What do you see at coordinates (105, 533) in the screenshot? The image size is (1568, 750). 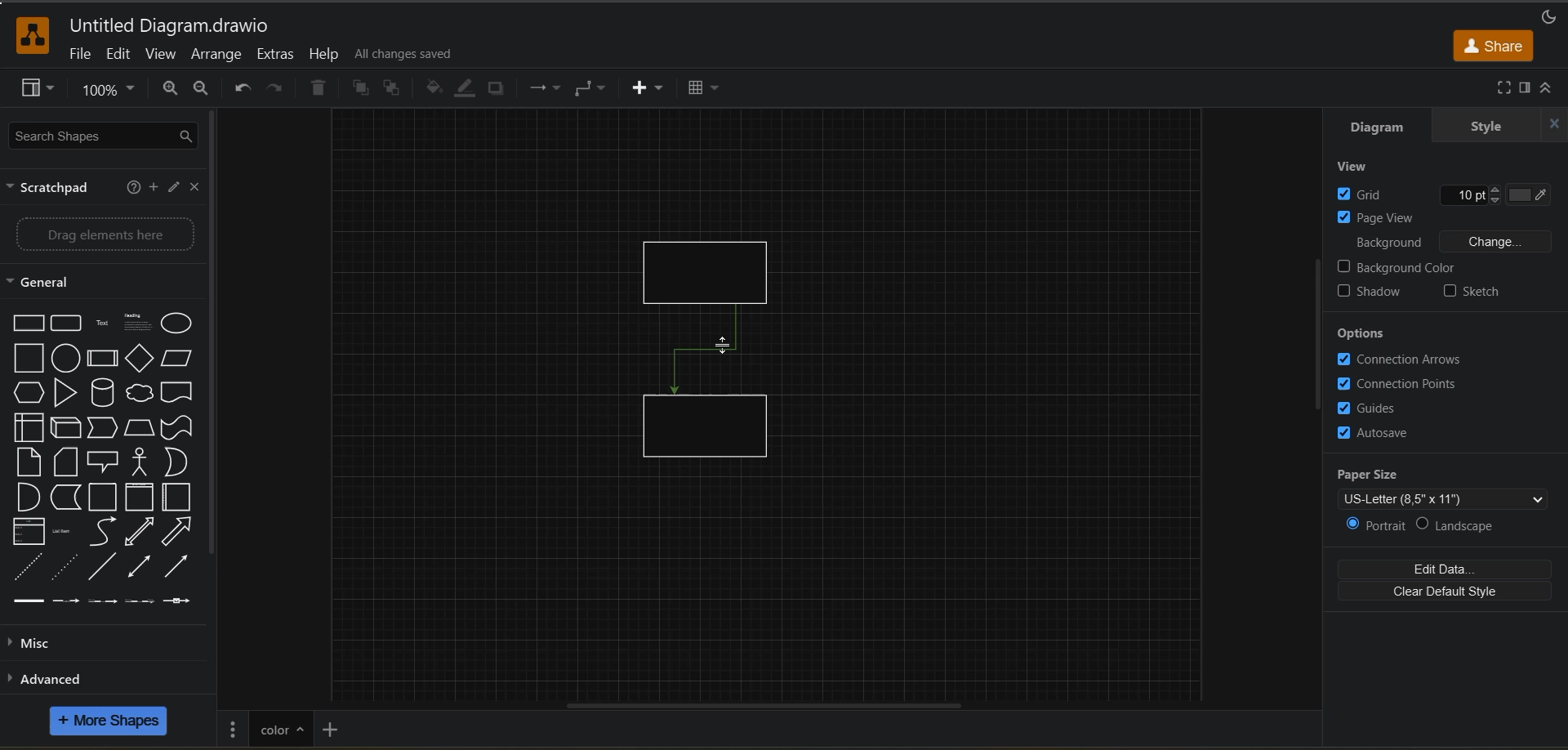 I see `Curve` at bounding box center [105, 533].